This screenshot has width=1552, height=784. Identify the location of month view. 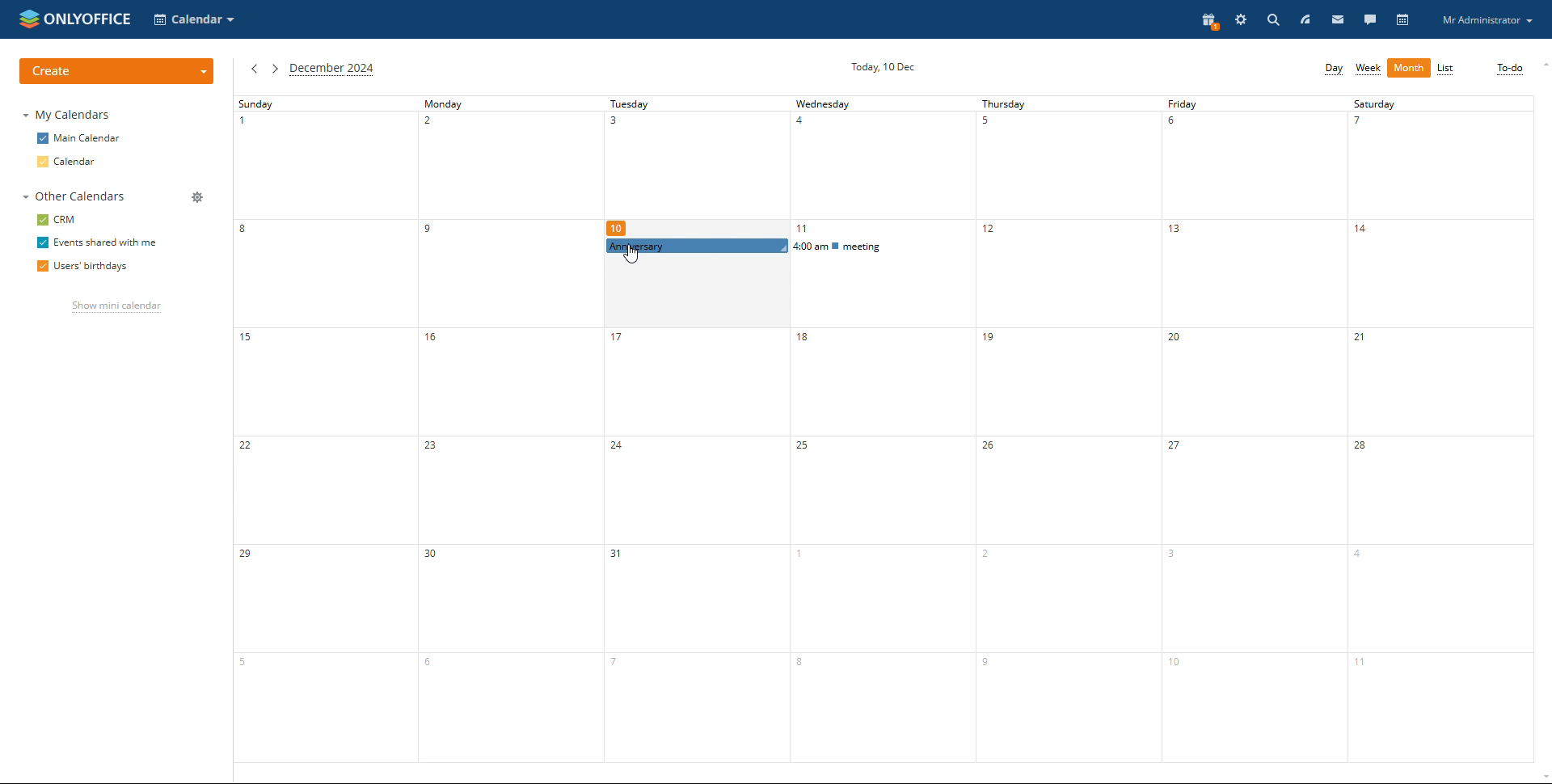
(1409, 68).